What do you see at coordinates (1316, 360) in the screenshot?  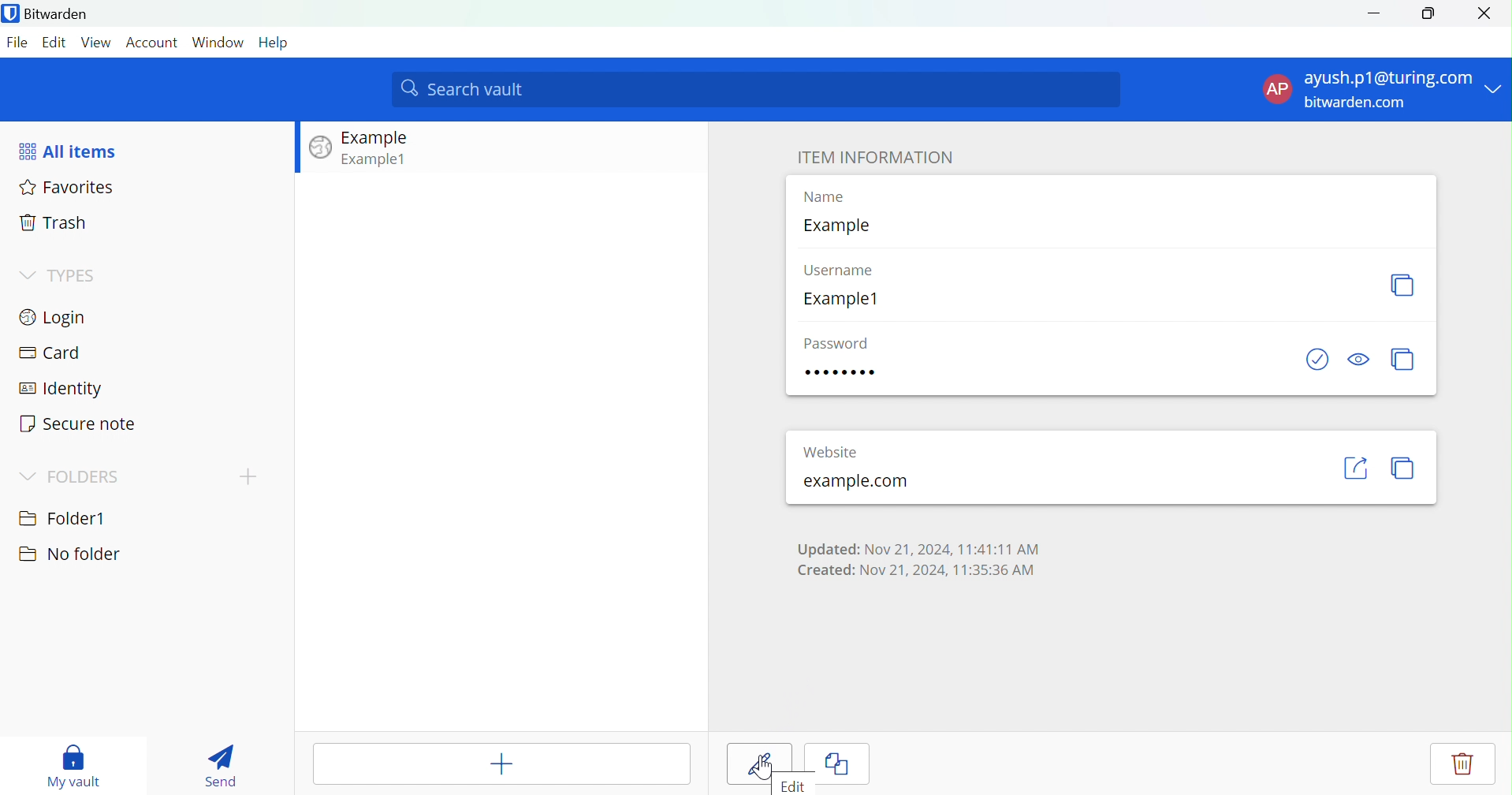 I see `Check if password has been exposed.` at bounding box center [1316, 360].